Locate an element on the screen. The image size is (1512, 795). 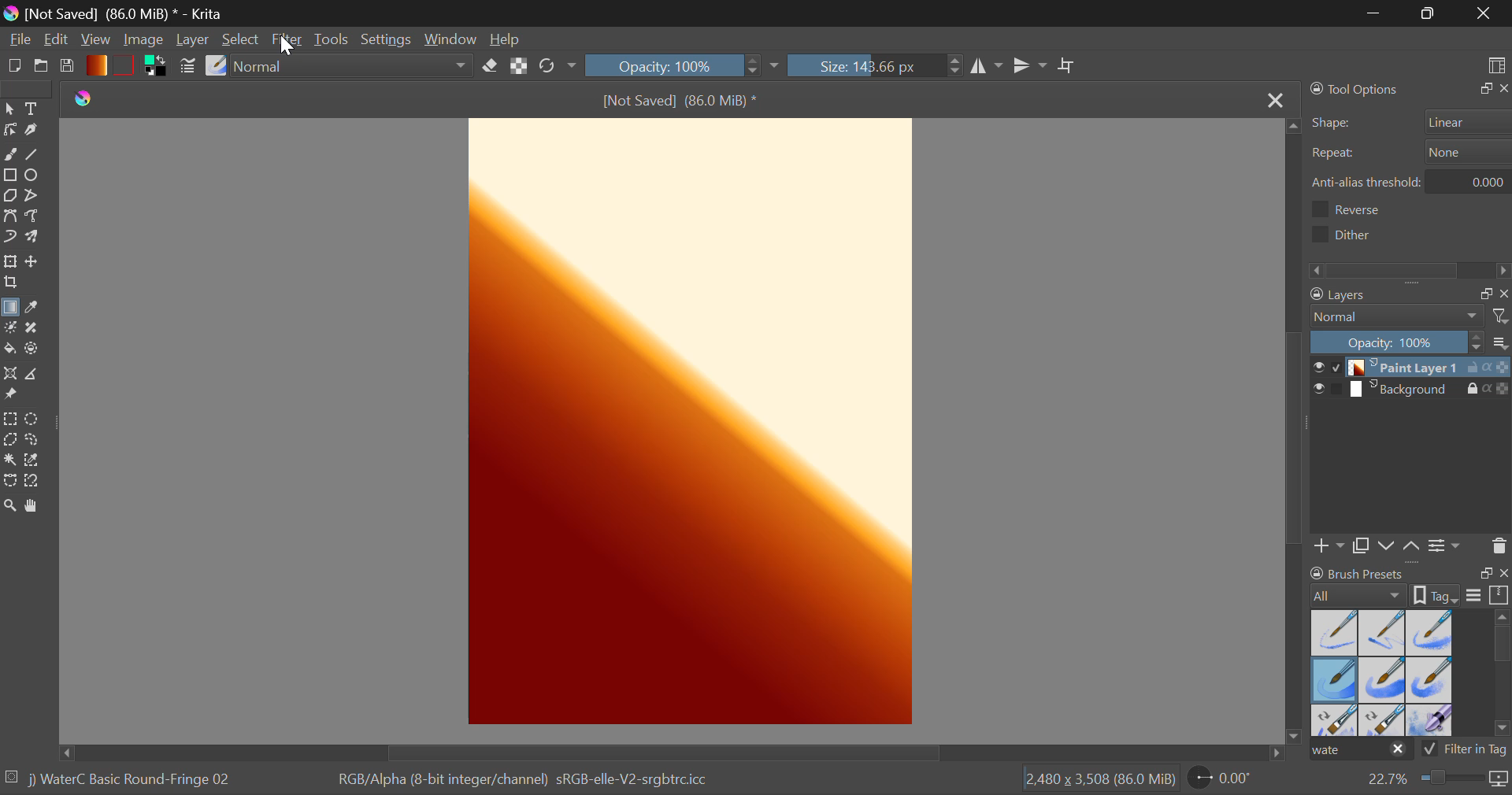
Pattern is located at coordinates (126, 64).